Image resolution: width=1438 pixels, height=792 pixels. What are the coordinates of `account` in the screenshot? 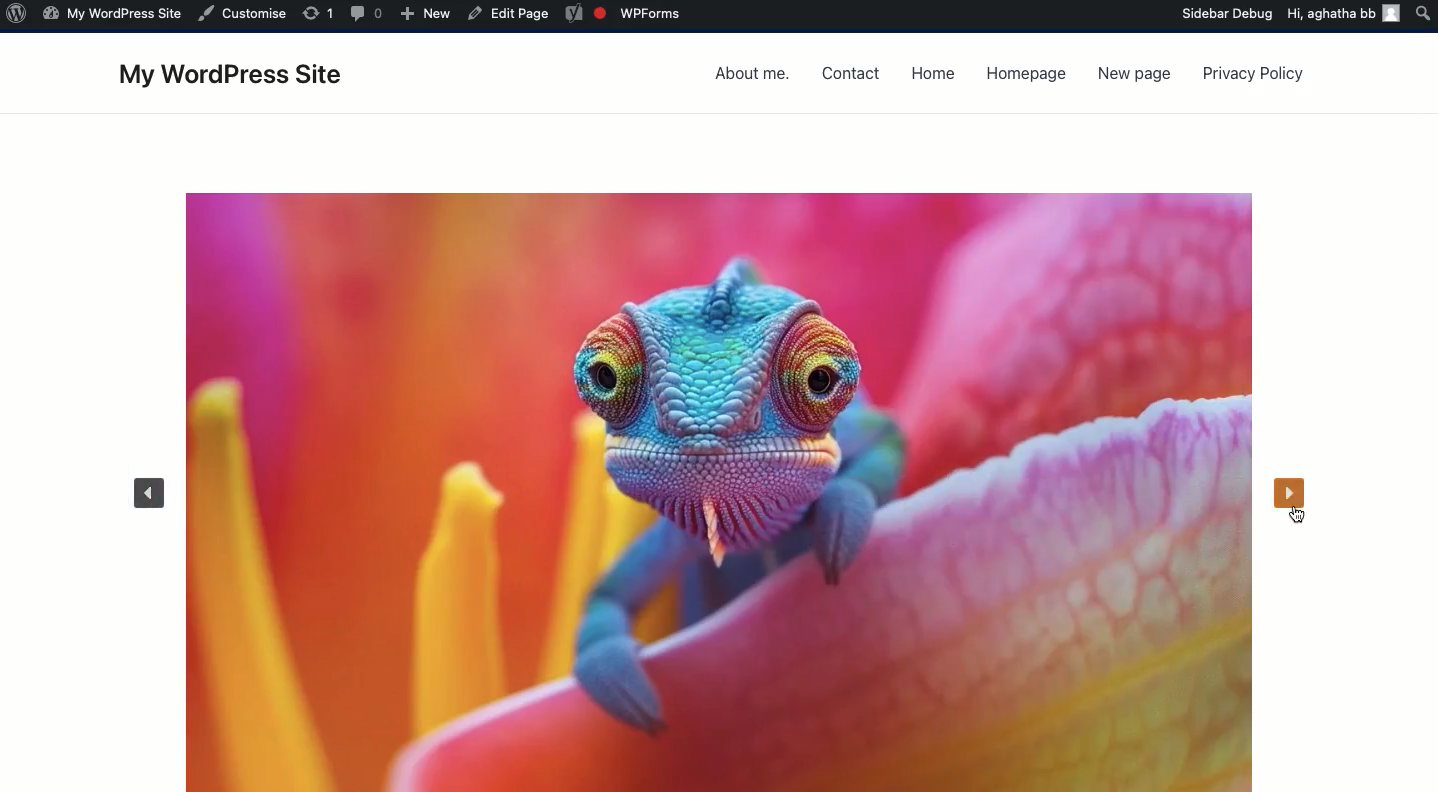 It's located at (1392, 18).